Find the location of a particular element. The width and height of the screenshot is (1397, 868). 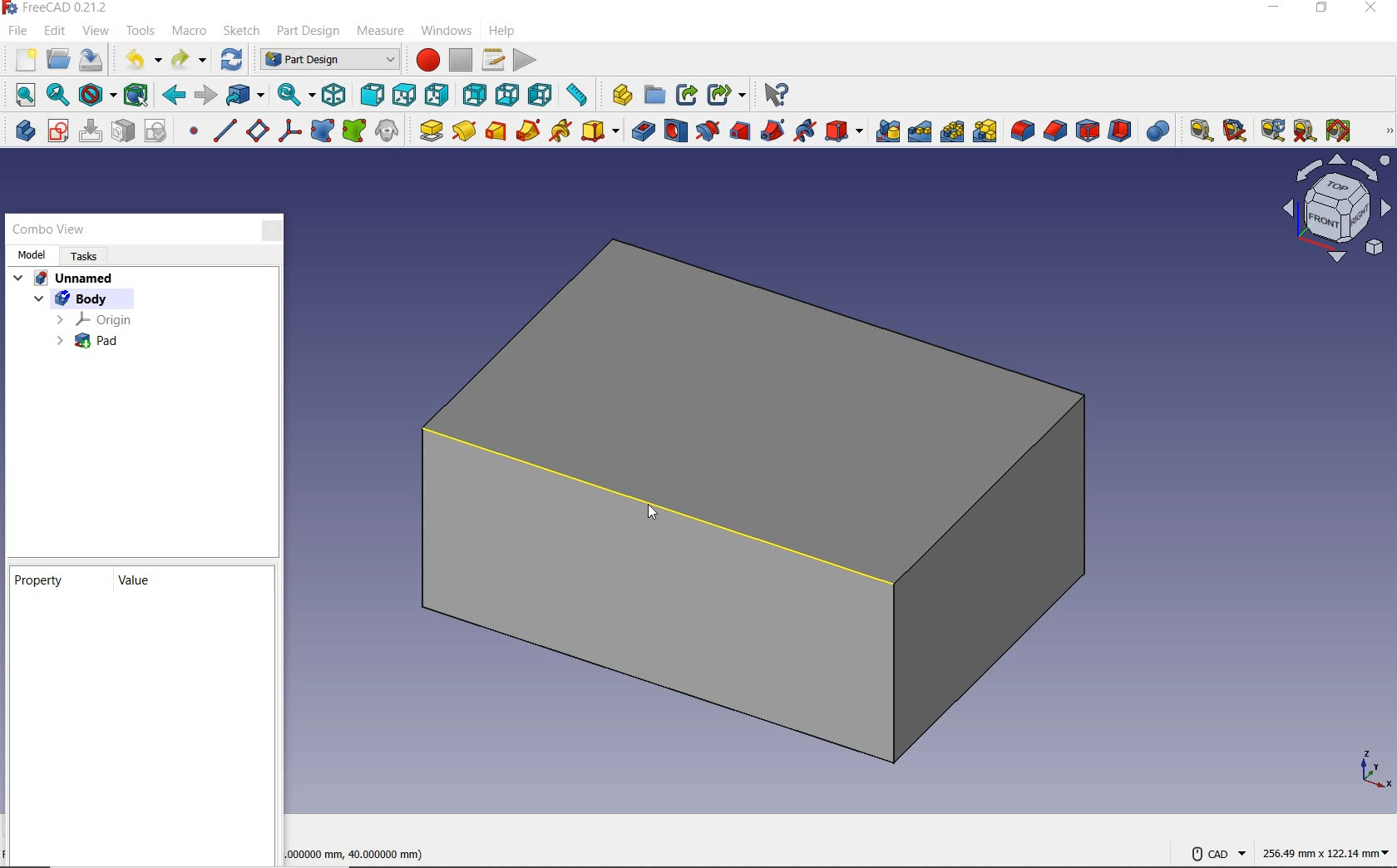

create multitransform is located at coordinates (984, 132).